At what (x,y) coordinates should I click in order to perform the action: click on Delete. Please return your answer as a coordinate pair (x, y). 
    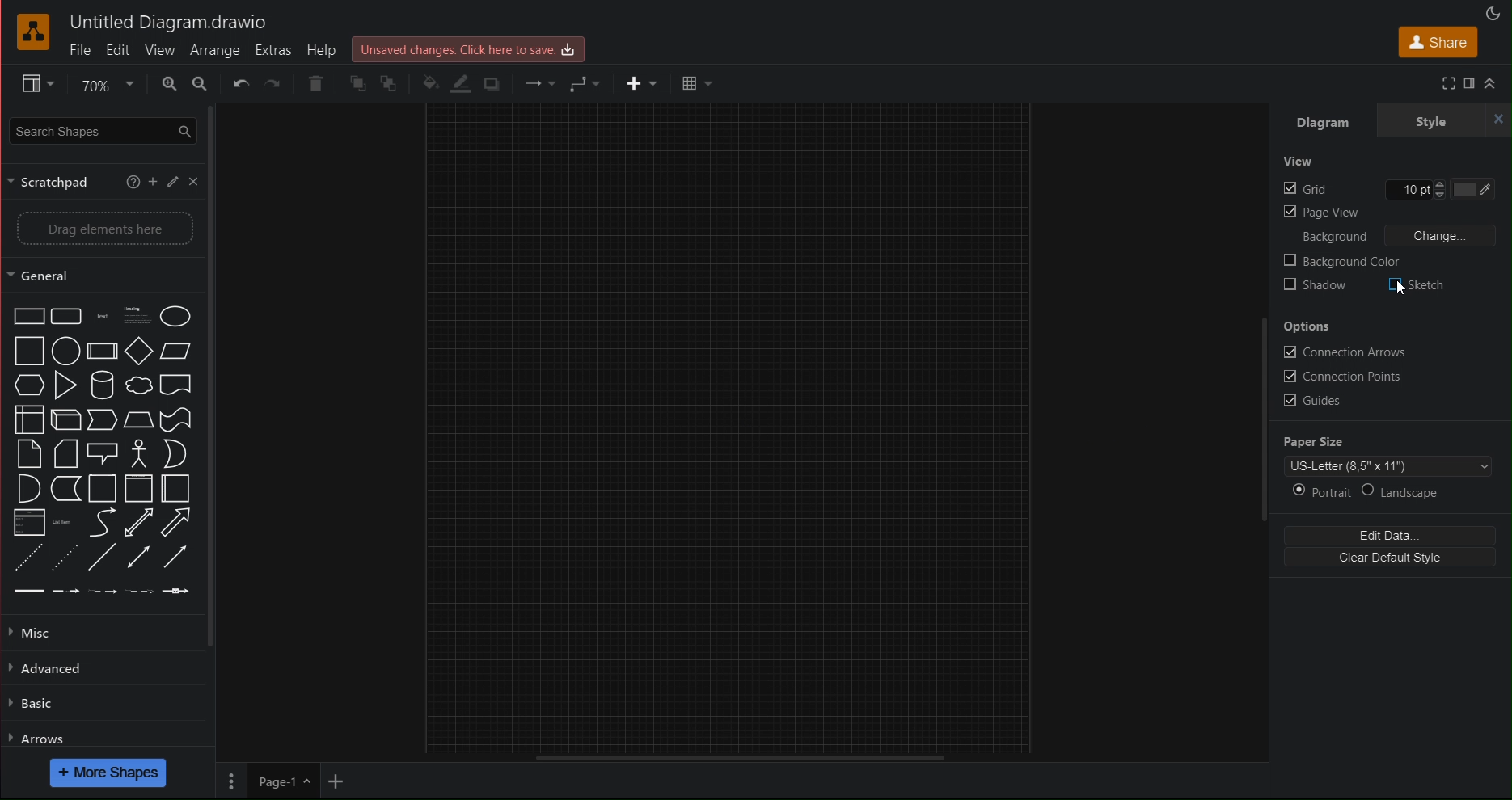
    Looking at the image, I should click on (315, 83).